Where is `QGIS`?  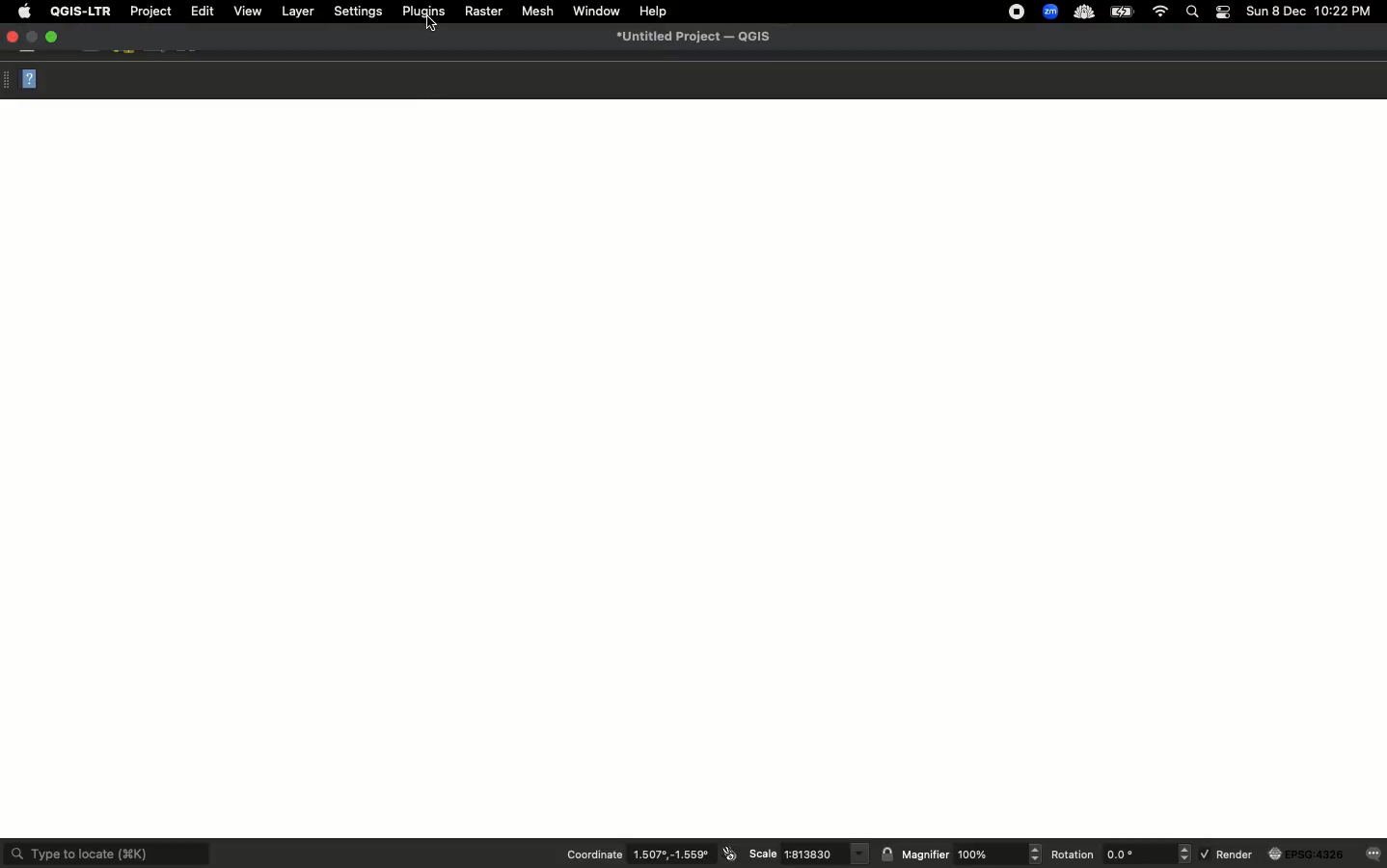
QGIS is located at coordinates (78, 12).